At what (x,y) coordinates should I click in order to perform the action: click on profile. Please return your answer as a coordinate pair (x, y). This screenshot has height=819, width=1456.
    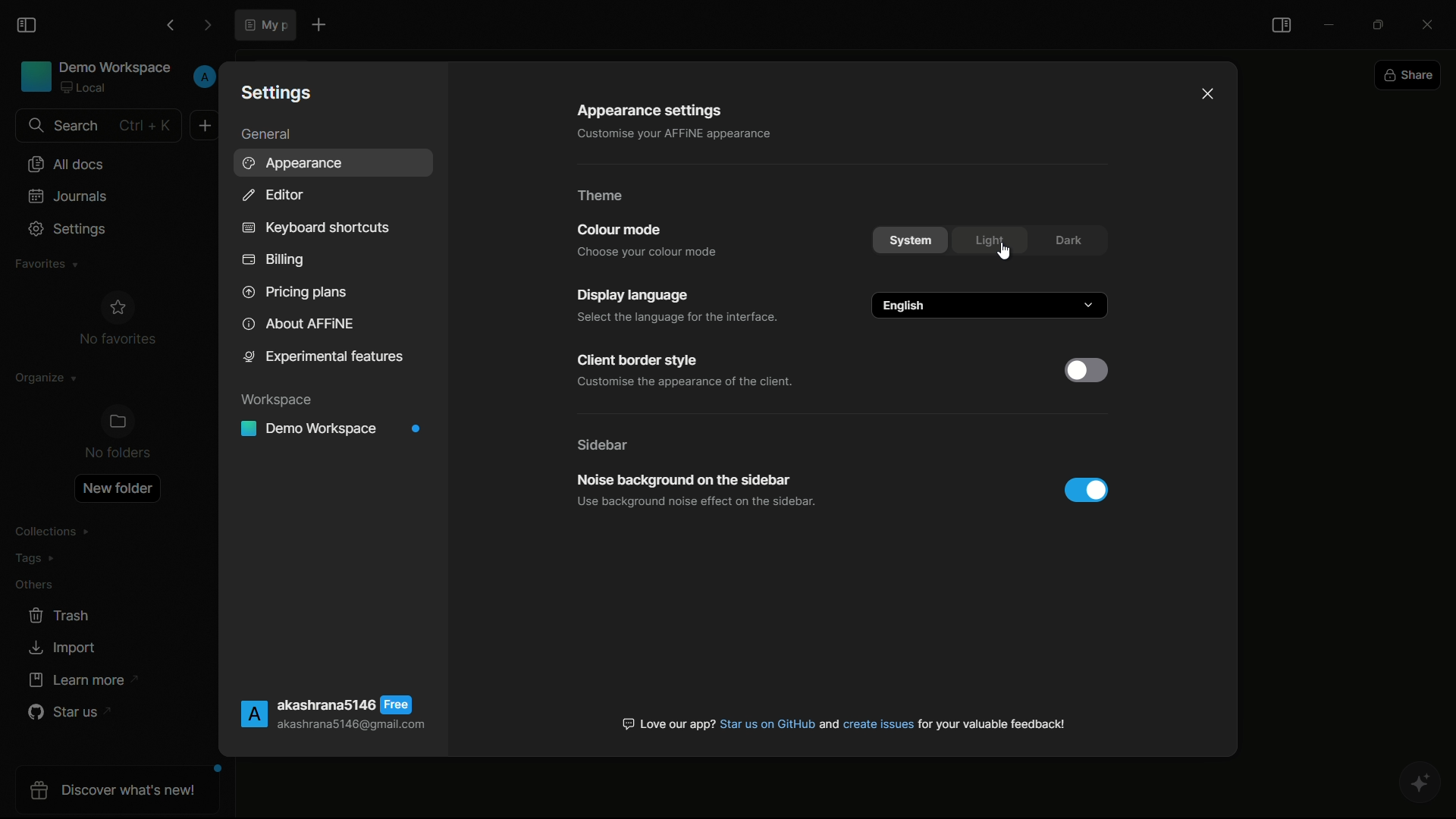
    Looking at the image, I should click on (204, 77).